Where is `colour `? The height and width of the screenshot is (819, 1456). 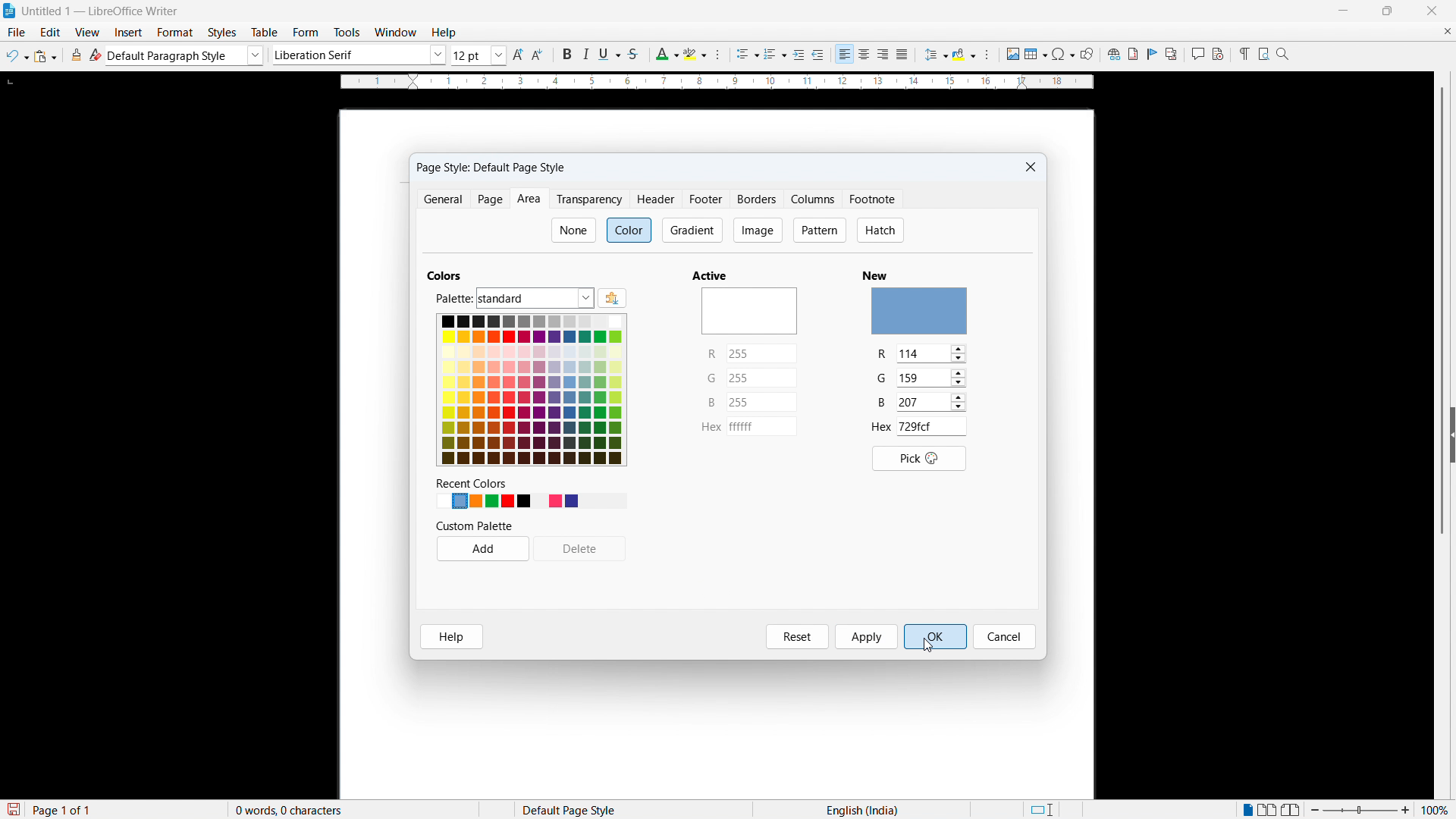 colour  is located at coordinates (629, 230).